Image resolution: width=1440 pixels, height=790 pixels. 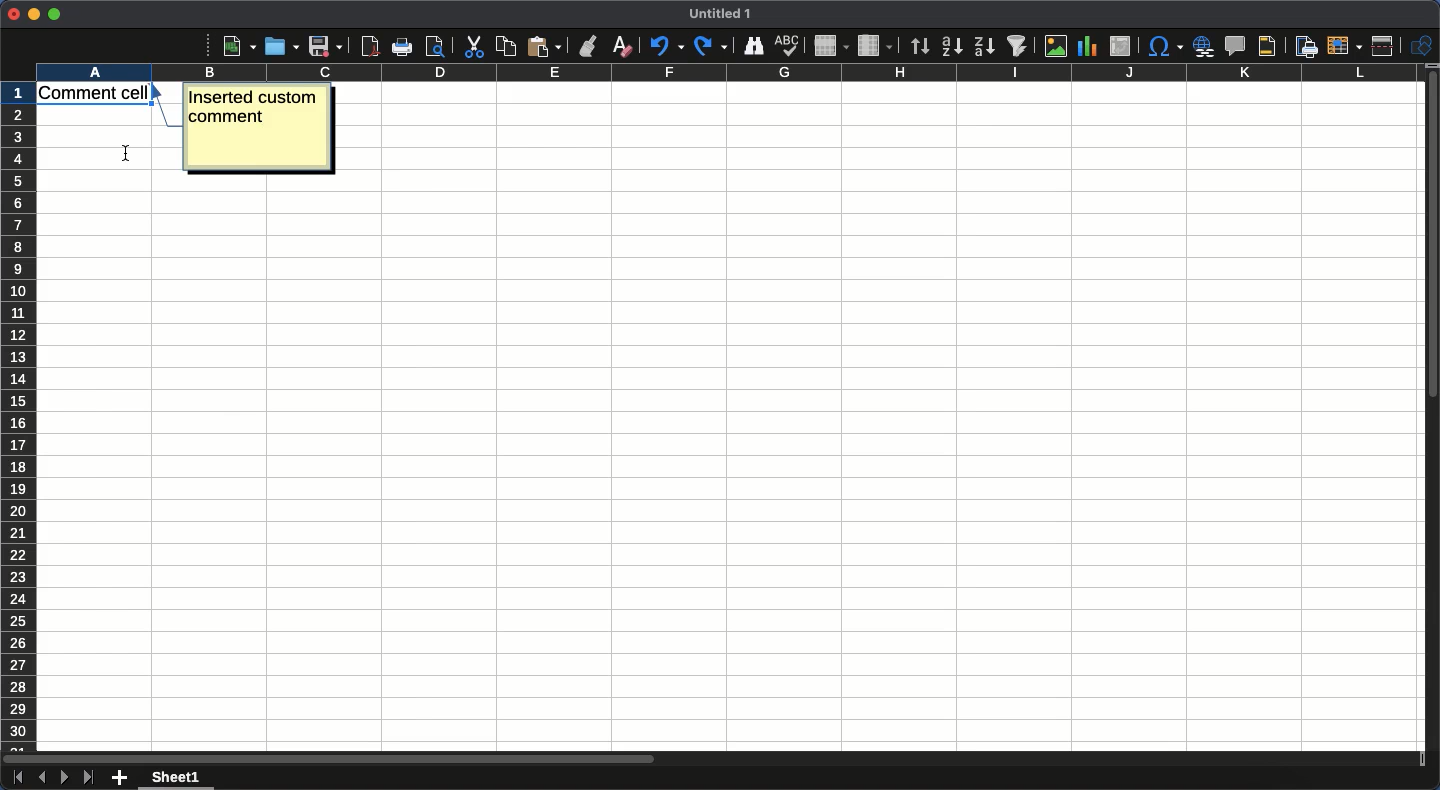 What do you see at coordinates (123, 157) in the screenshot?
I see `cursor position` at bounding box center [123, 157].